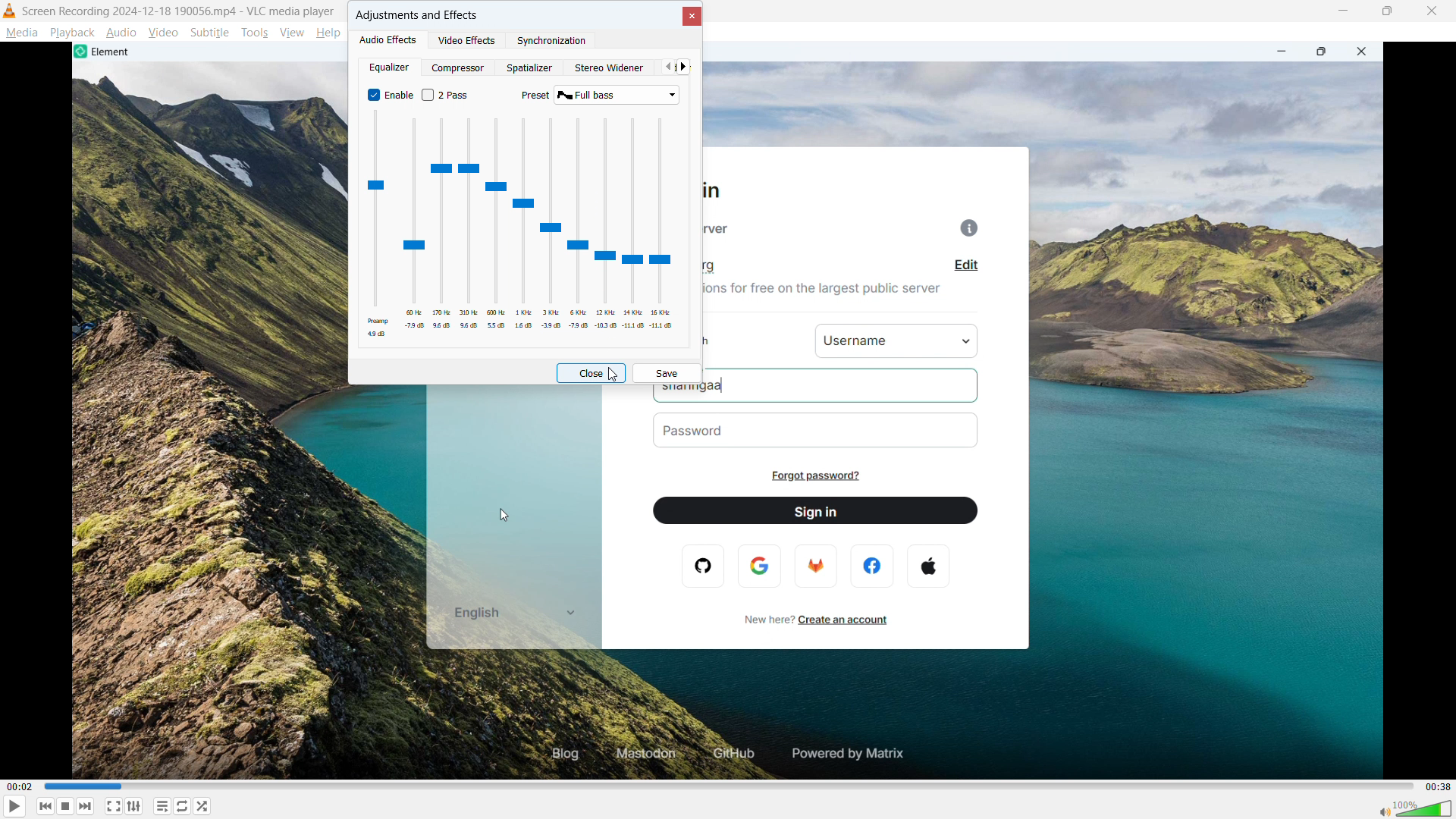  Describe the element at coordinates (524, 225) in the screenshot. I see `Adjust 1 kilohertz` at that location.